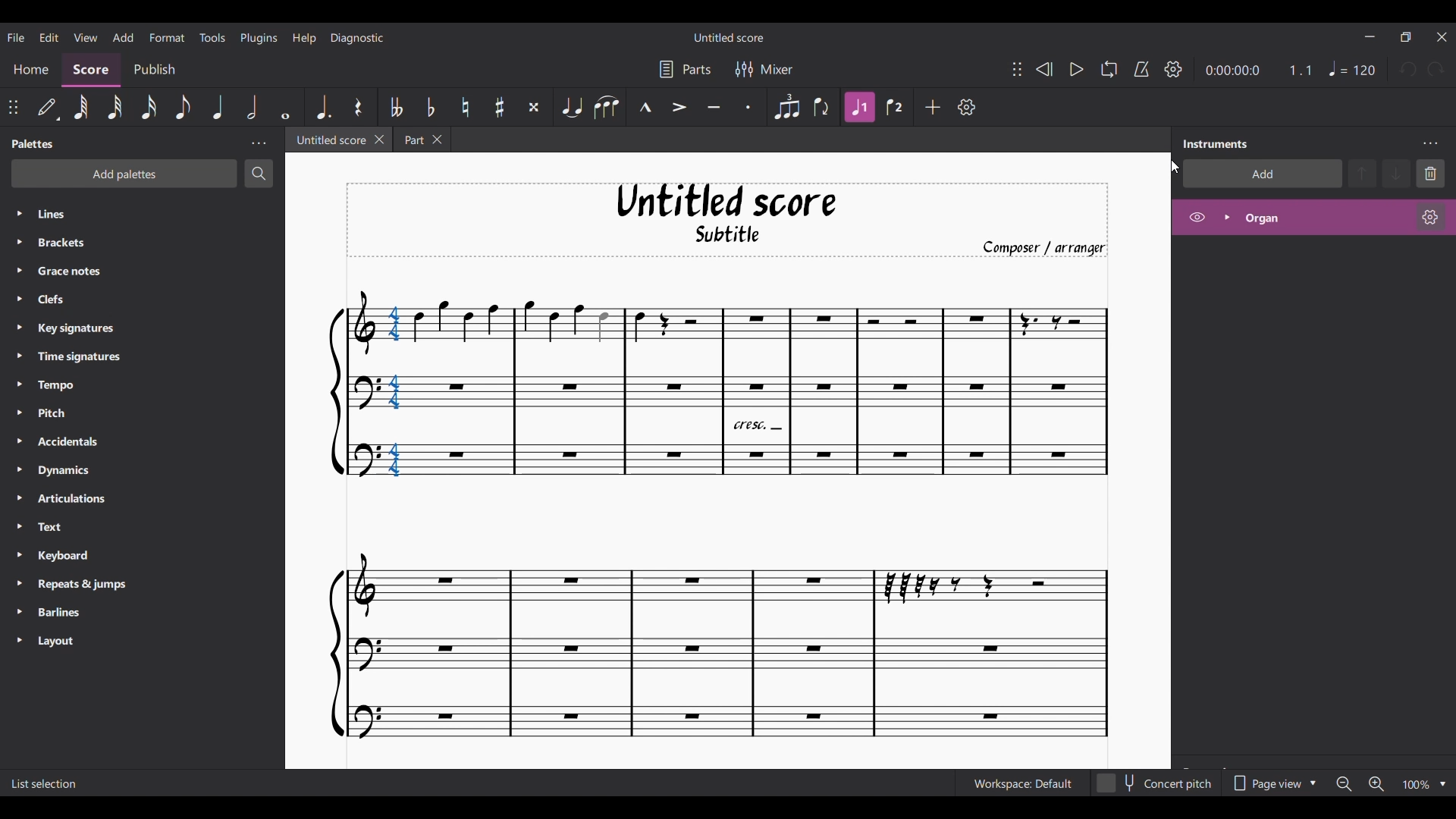 Image resolution: width=1456 pixels, height=819 pixels. Describe the element at coordinates (1017, 69) in the screenshot. I see `Change position of toolbar attached` at that location.